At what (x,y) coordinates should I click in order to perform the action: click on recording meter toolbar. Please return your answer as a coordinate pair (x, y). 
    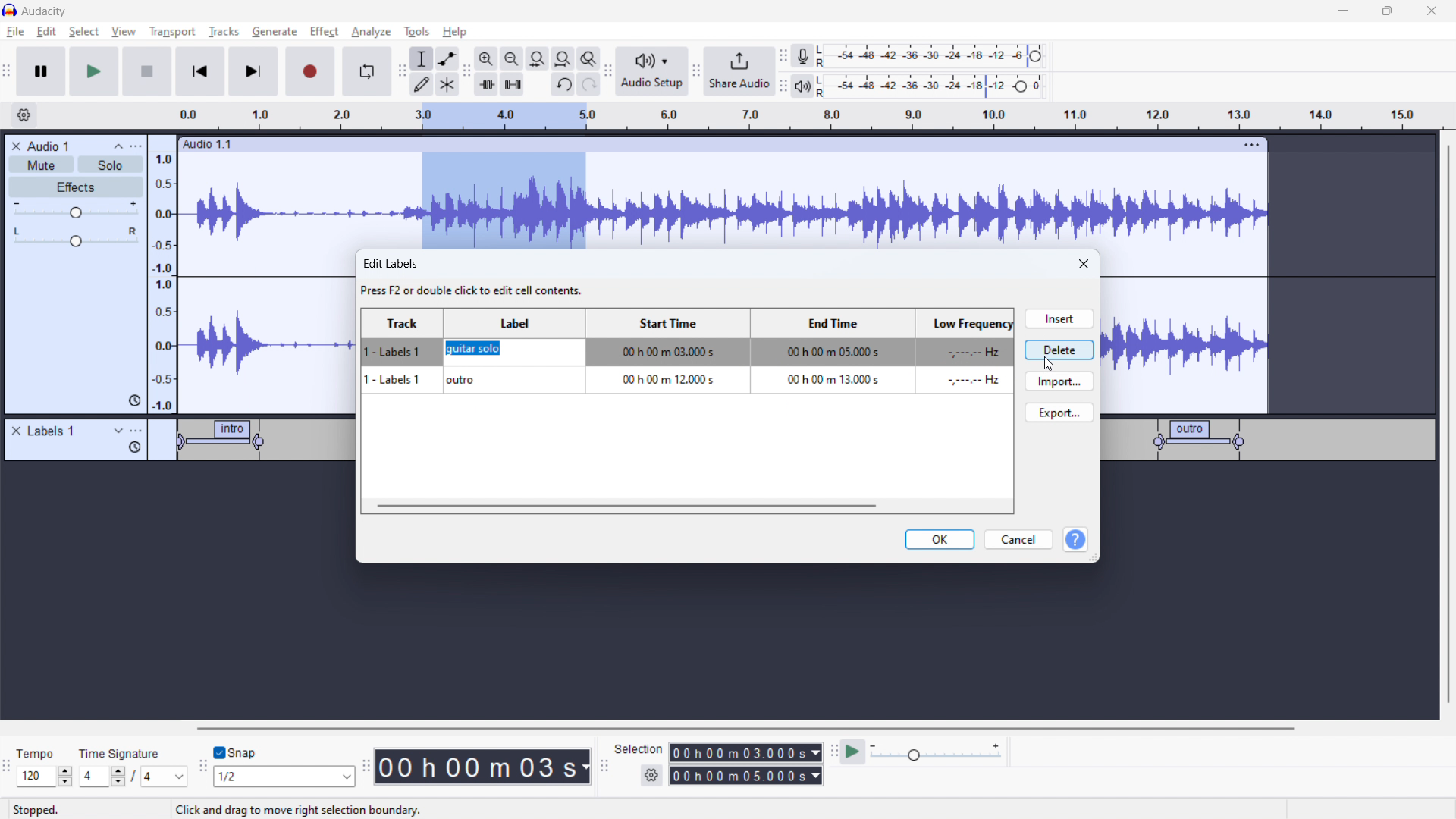
    Looking at the image, I should click on (783, 58).